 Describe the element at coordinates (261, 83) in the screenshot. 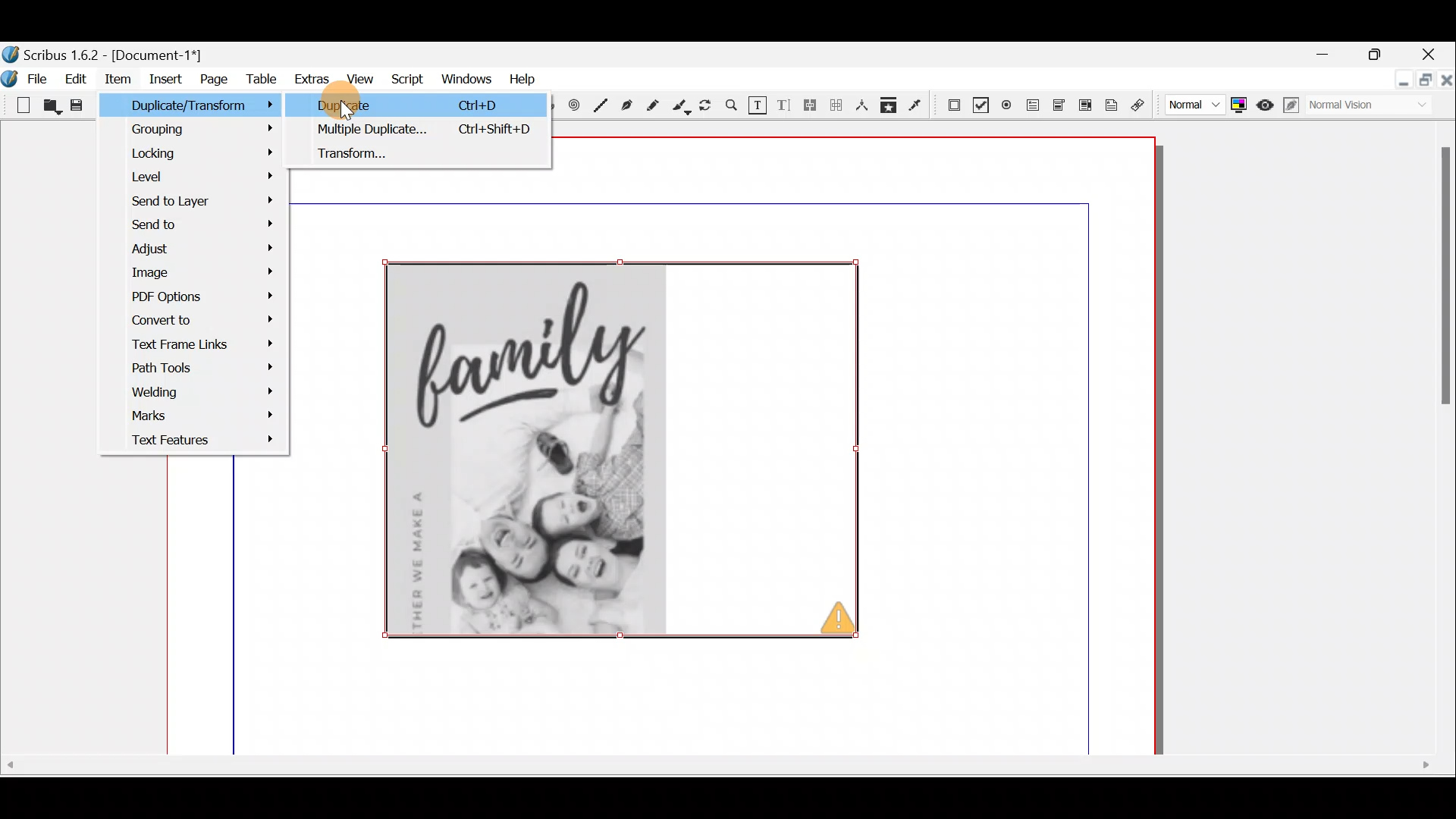

I see `Table` at that location.